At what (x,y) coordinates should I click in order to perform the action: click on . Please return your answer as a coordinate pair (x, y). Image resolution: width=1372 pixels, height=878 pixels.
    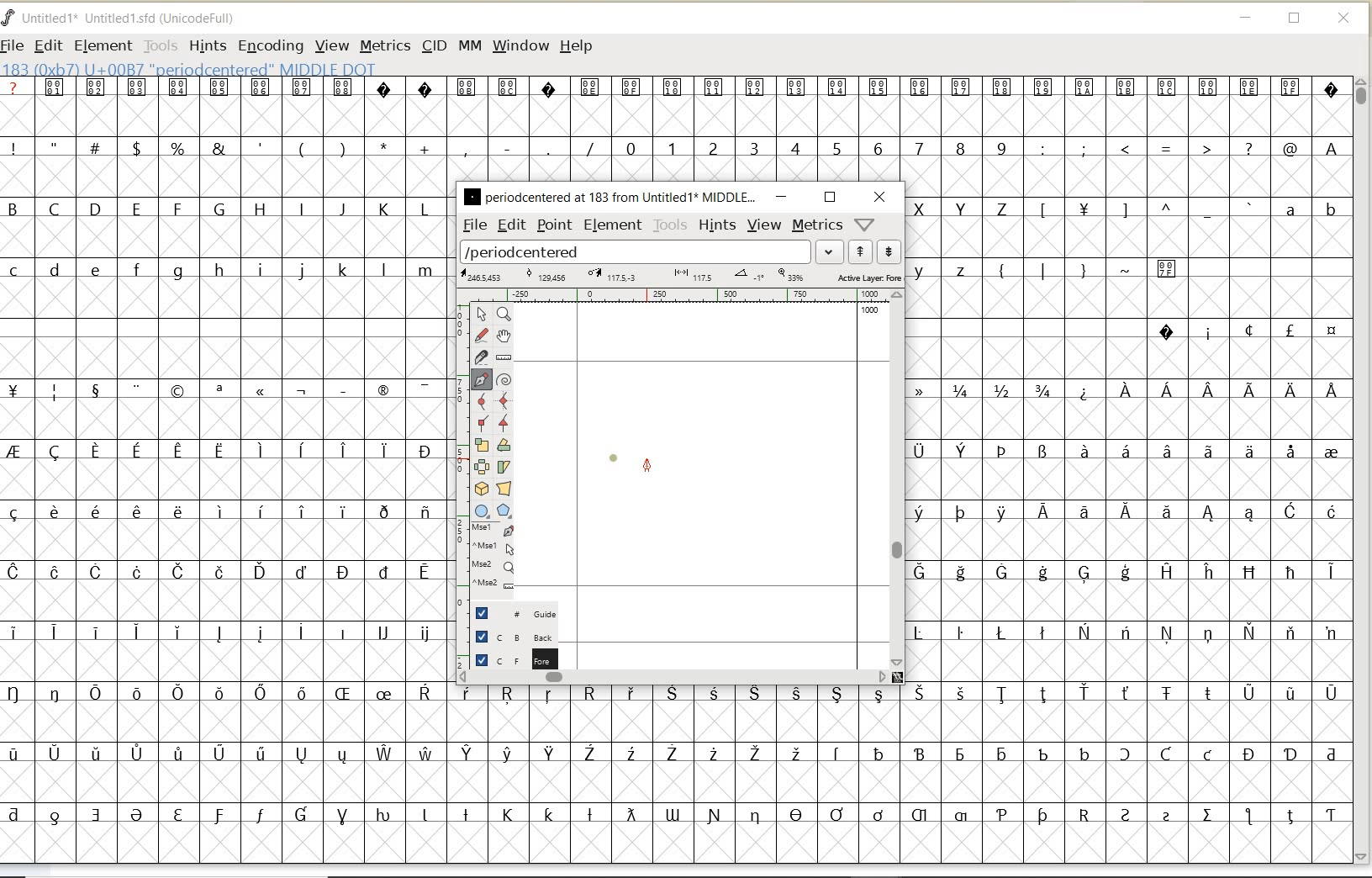
    Looking at the image, I should click on (1143, 211).